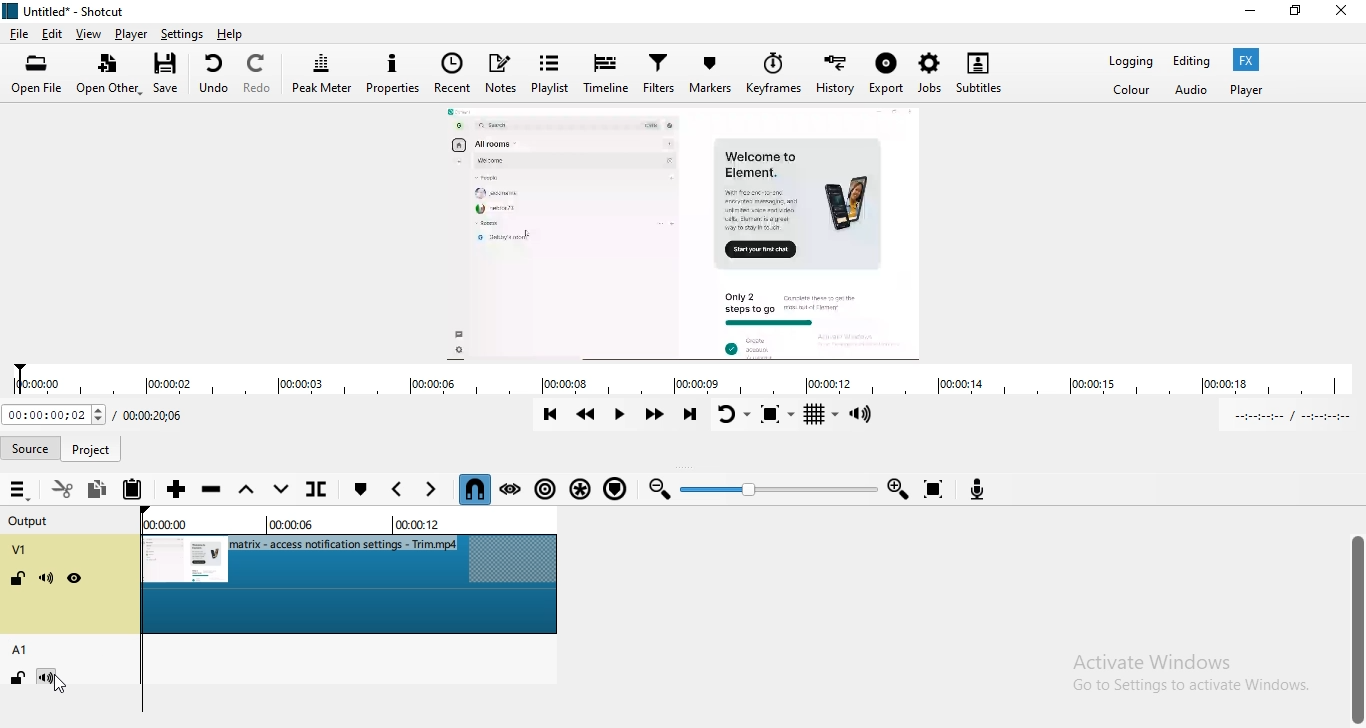 This screenshot has width=1366, height=728. Describe the element at coordinates (20, 489) in the screenshot. I see `Timeline menu` at that location.